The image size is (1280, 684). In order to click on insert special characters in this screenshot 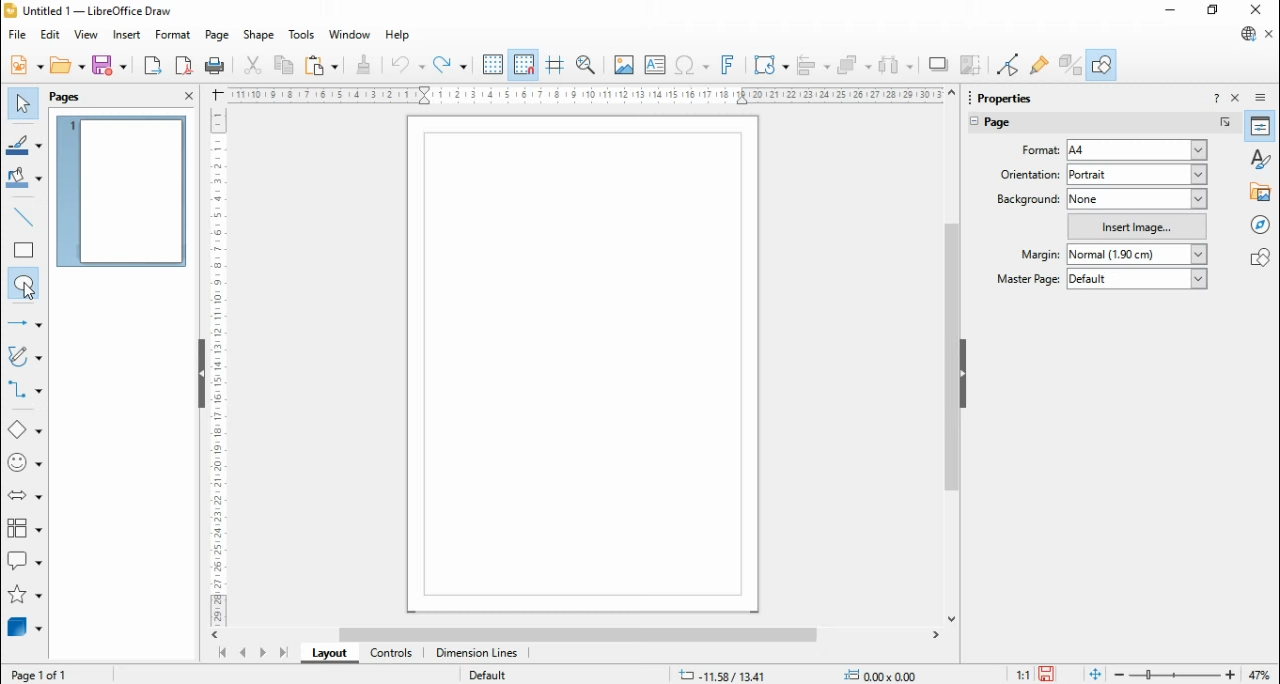, I will do `click(693, 64)`.